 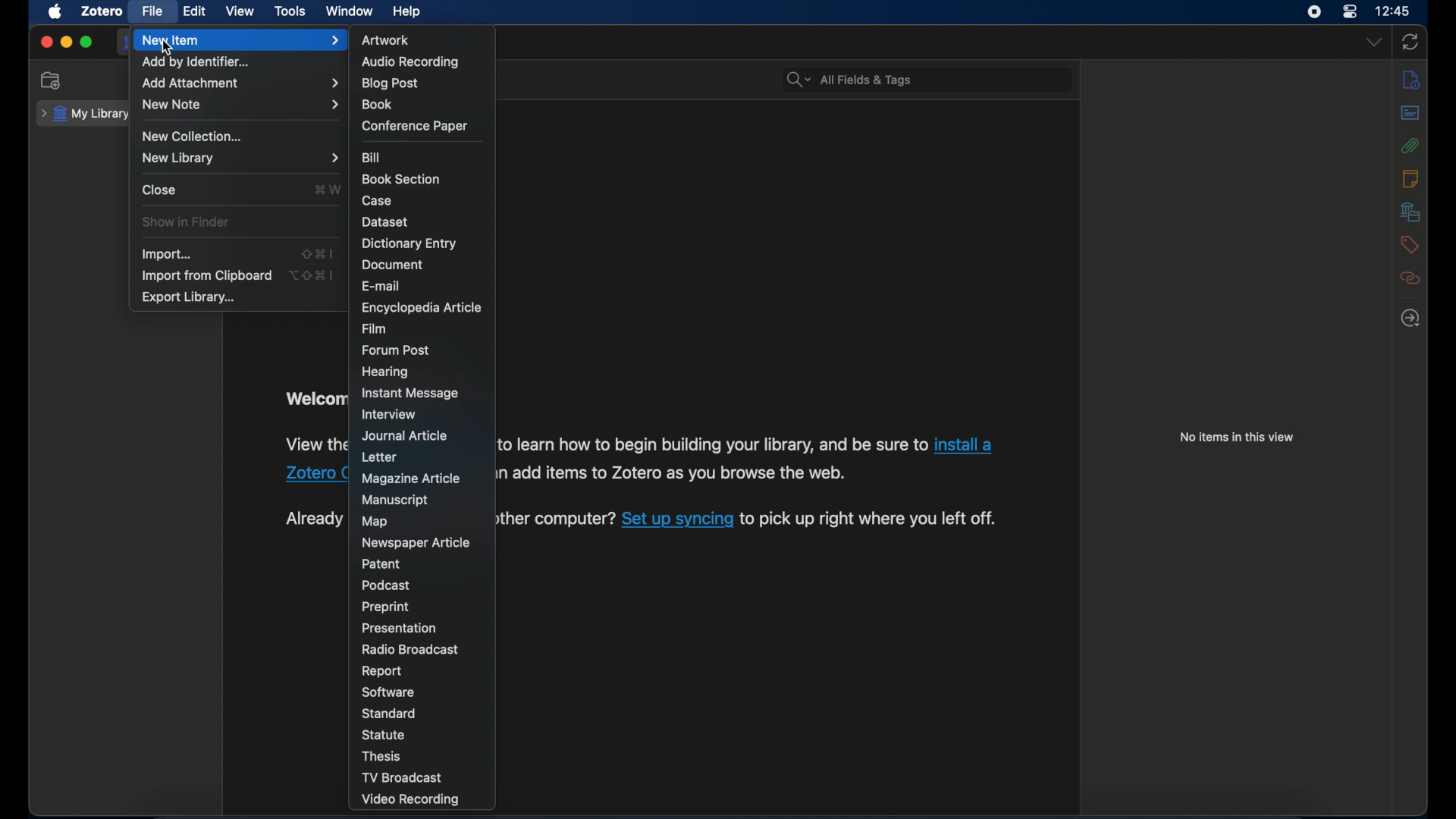 What do you see at coordinates (53, 80) in the screenshot?
I see `new collection` at bounding box center [53, 80].